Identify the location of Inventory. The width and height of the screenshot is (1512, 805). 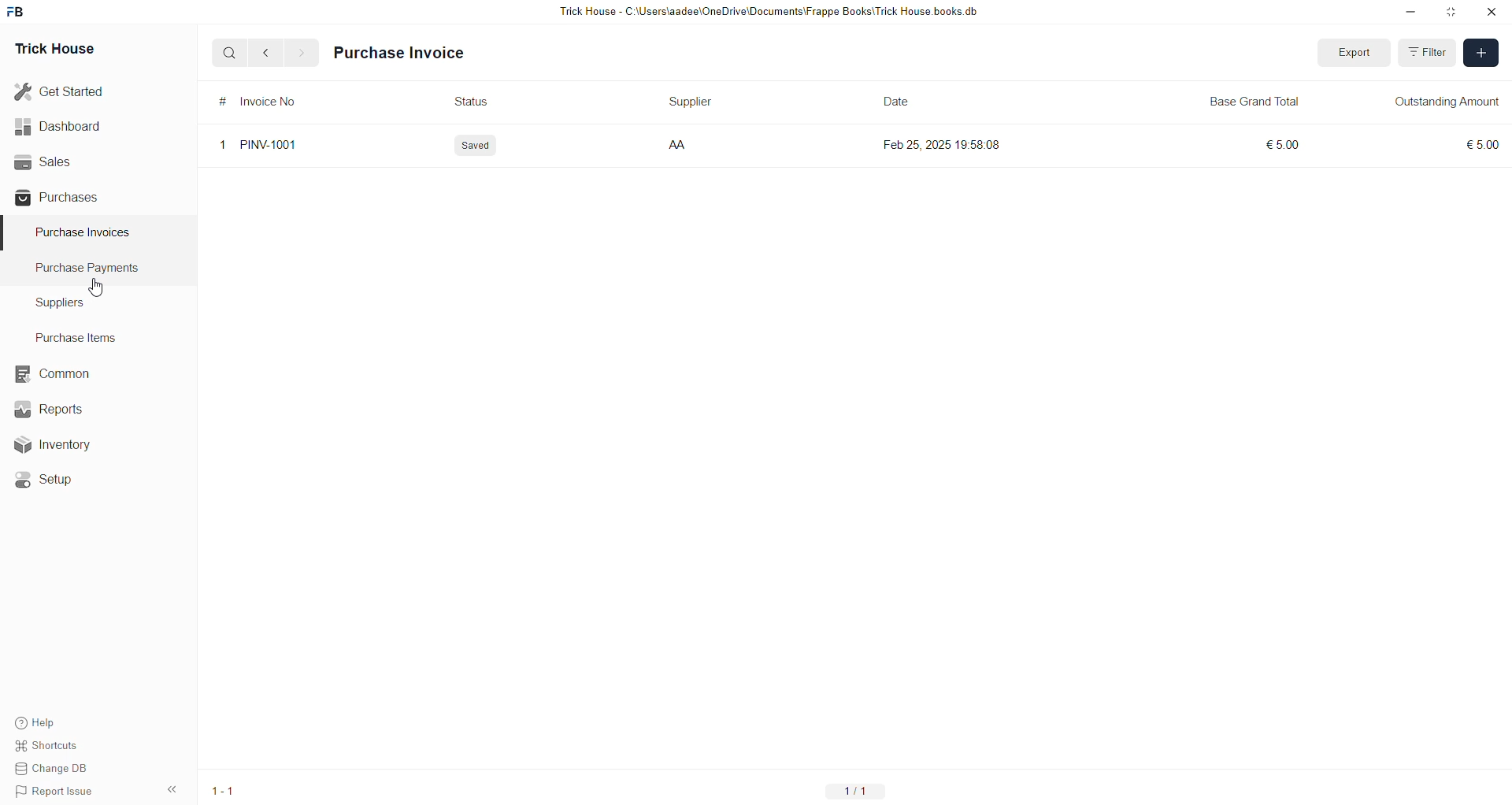
(54, 443).